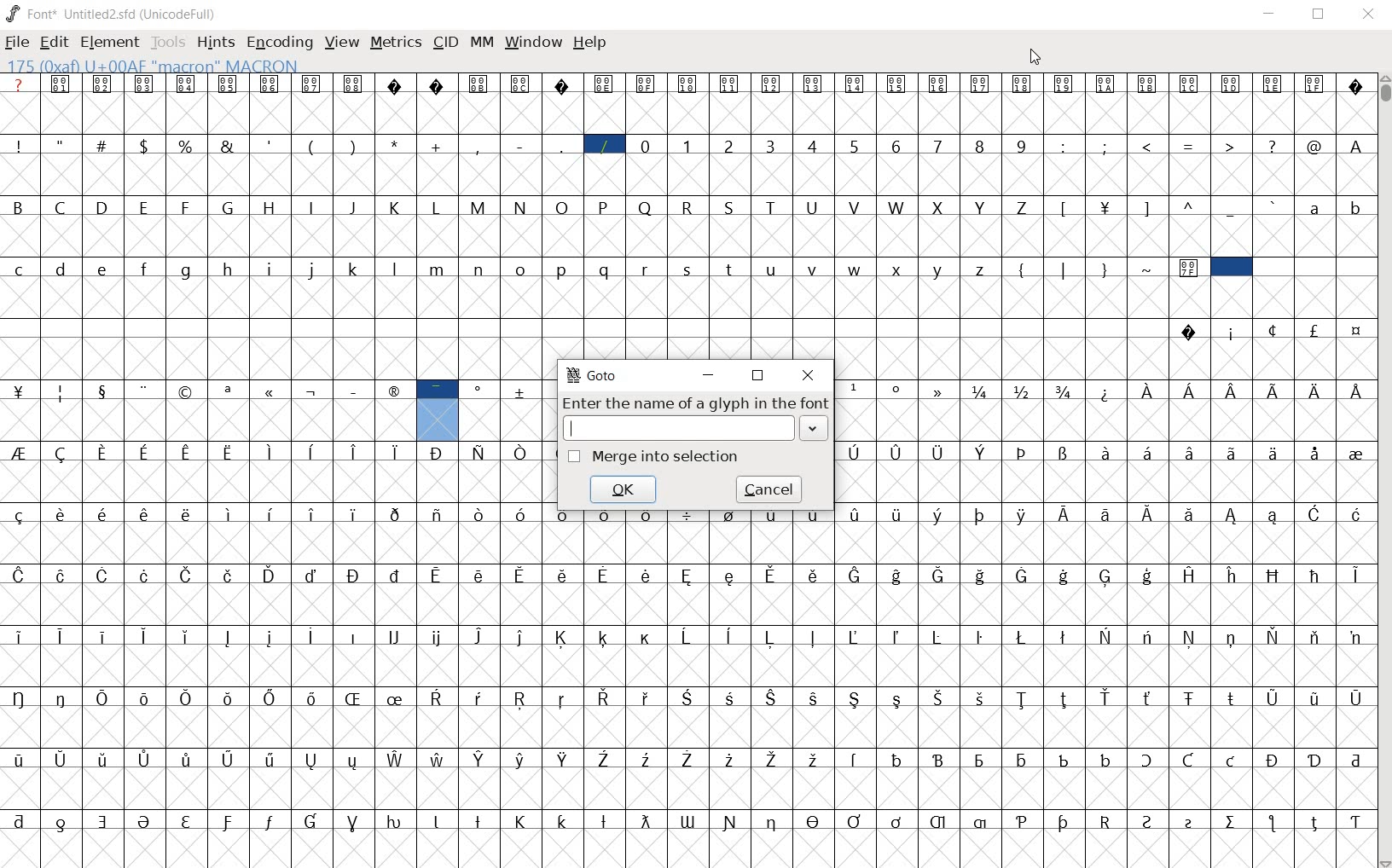 This screenshot has height=868, width=1392. What do you see at coordinates (1209, 534) in the screenshot?
I see `Latin extended characters` at bounding box center [1209, 534].